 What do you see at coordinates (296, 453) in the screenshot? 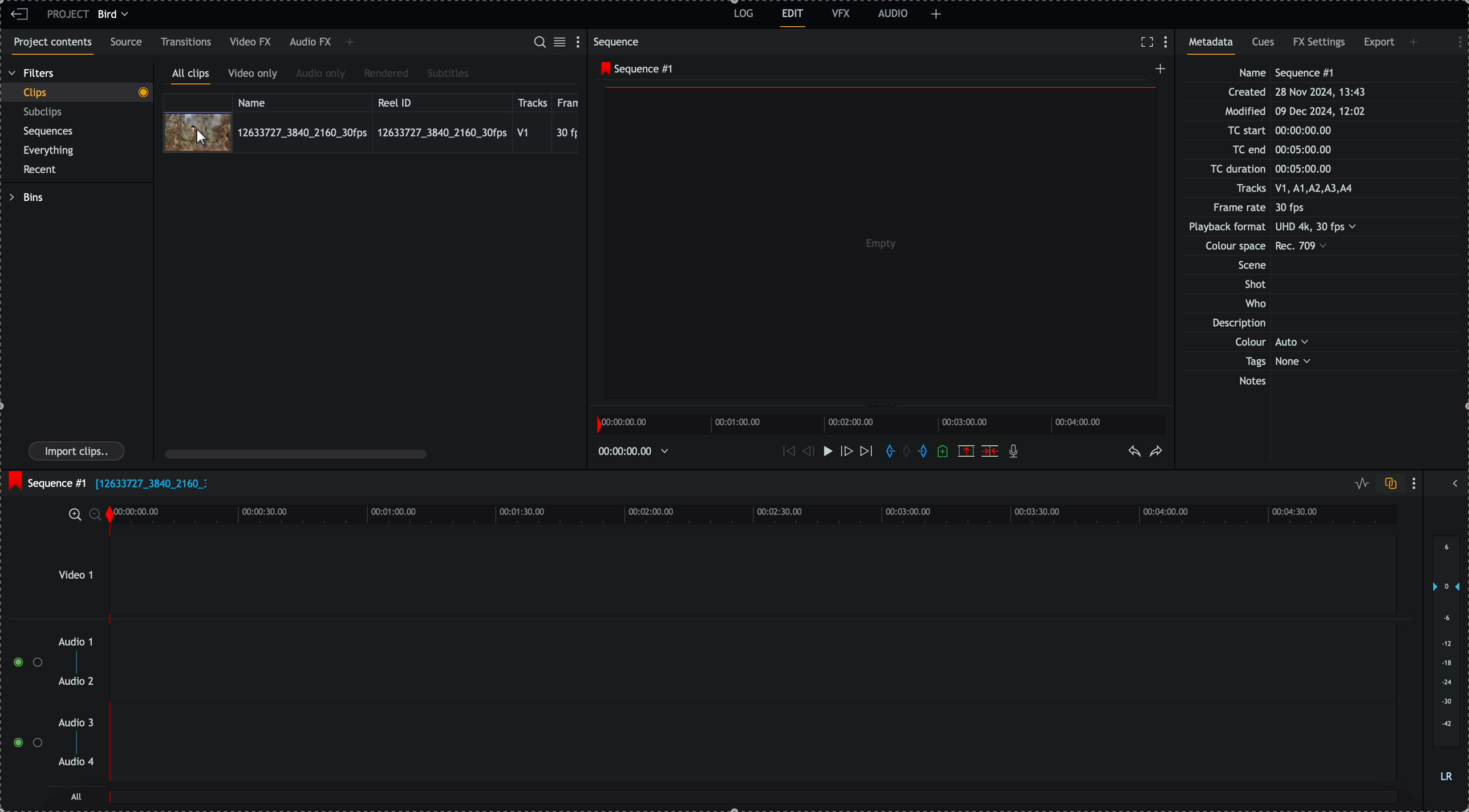
I see `scroll bar` at bounding box center [296, 453].